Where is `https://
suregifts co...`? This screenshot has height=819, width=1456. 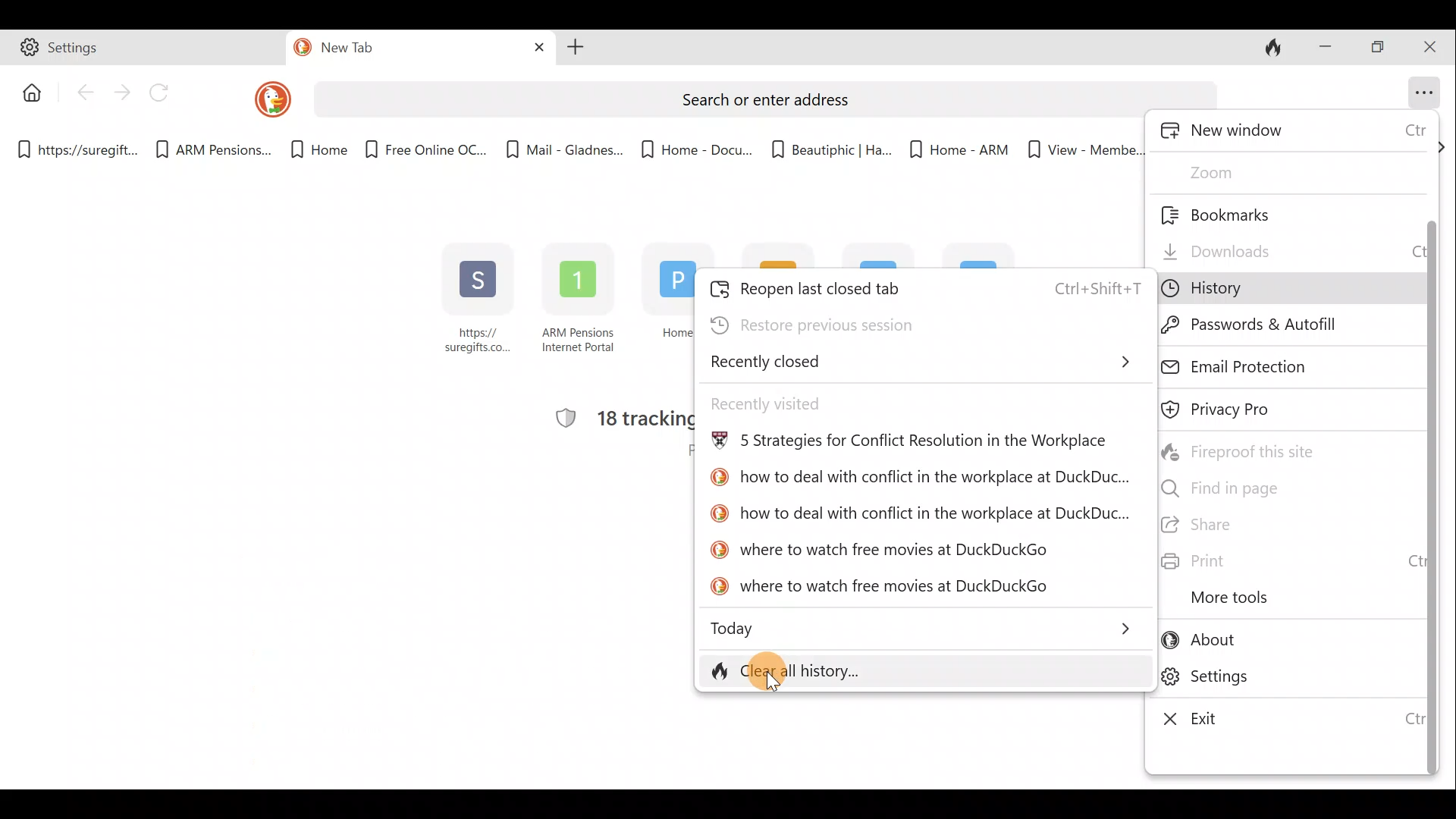 https://
suregifts co... is located at coordinates (479, 301).